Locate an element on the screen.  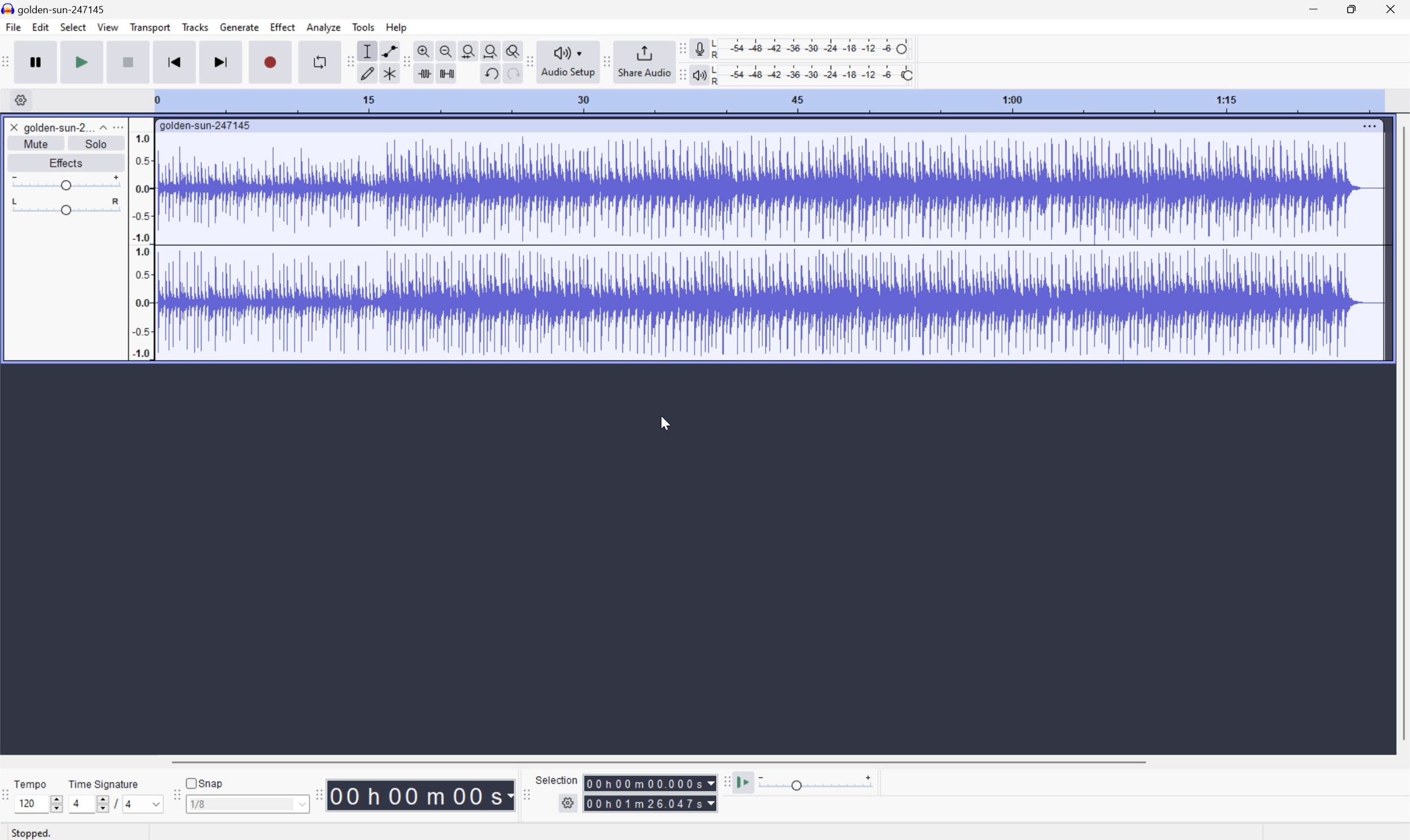
Close is located at coordinates (1394, 8).